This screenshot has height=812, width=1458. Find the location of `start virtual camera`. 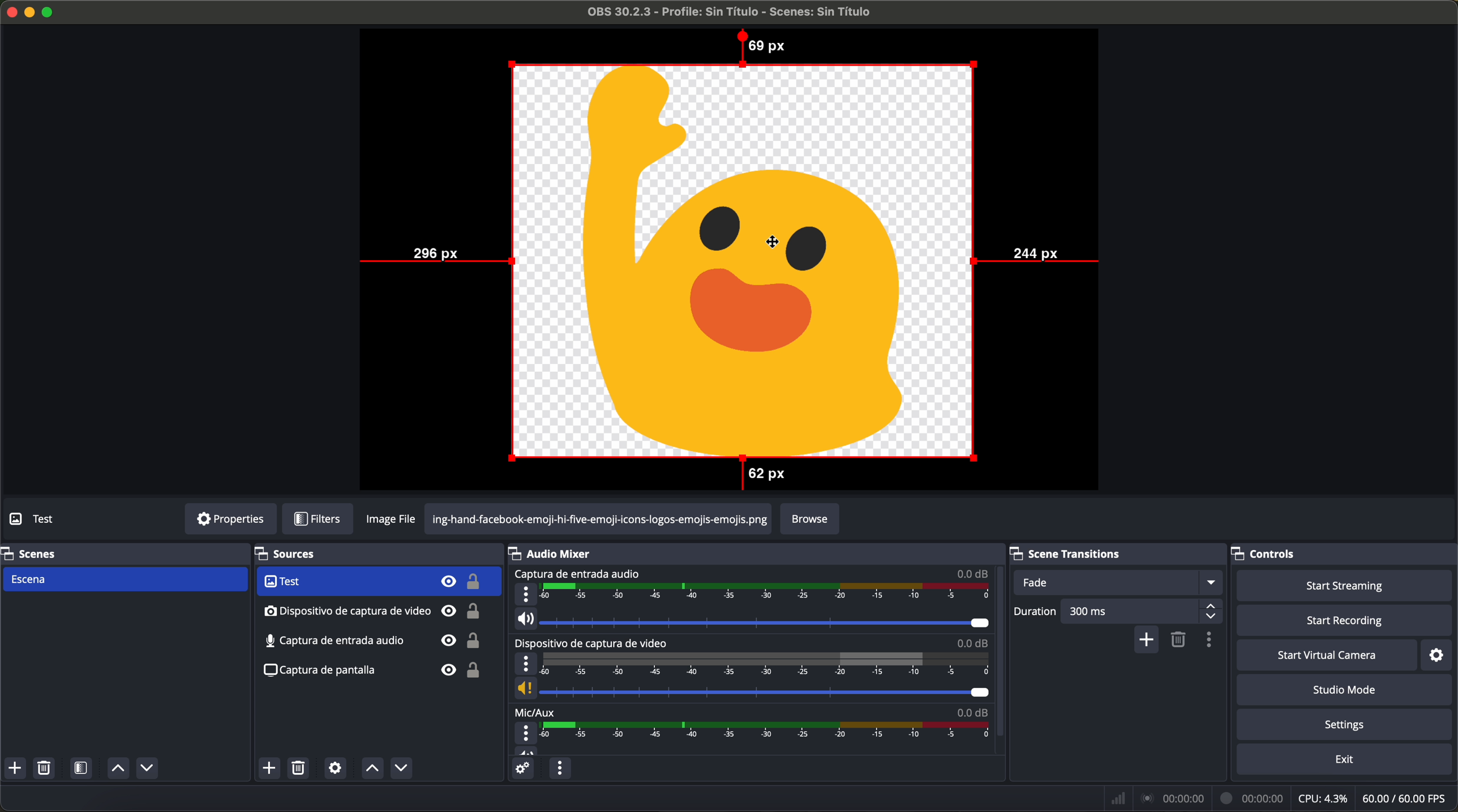

start virtual camera is located at coordinates (1327, 655).